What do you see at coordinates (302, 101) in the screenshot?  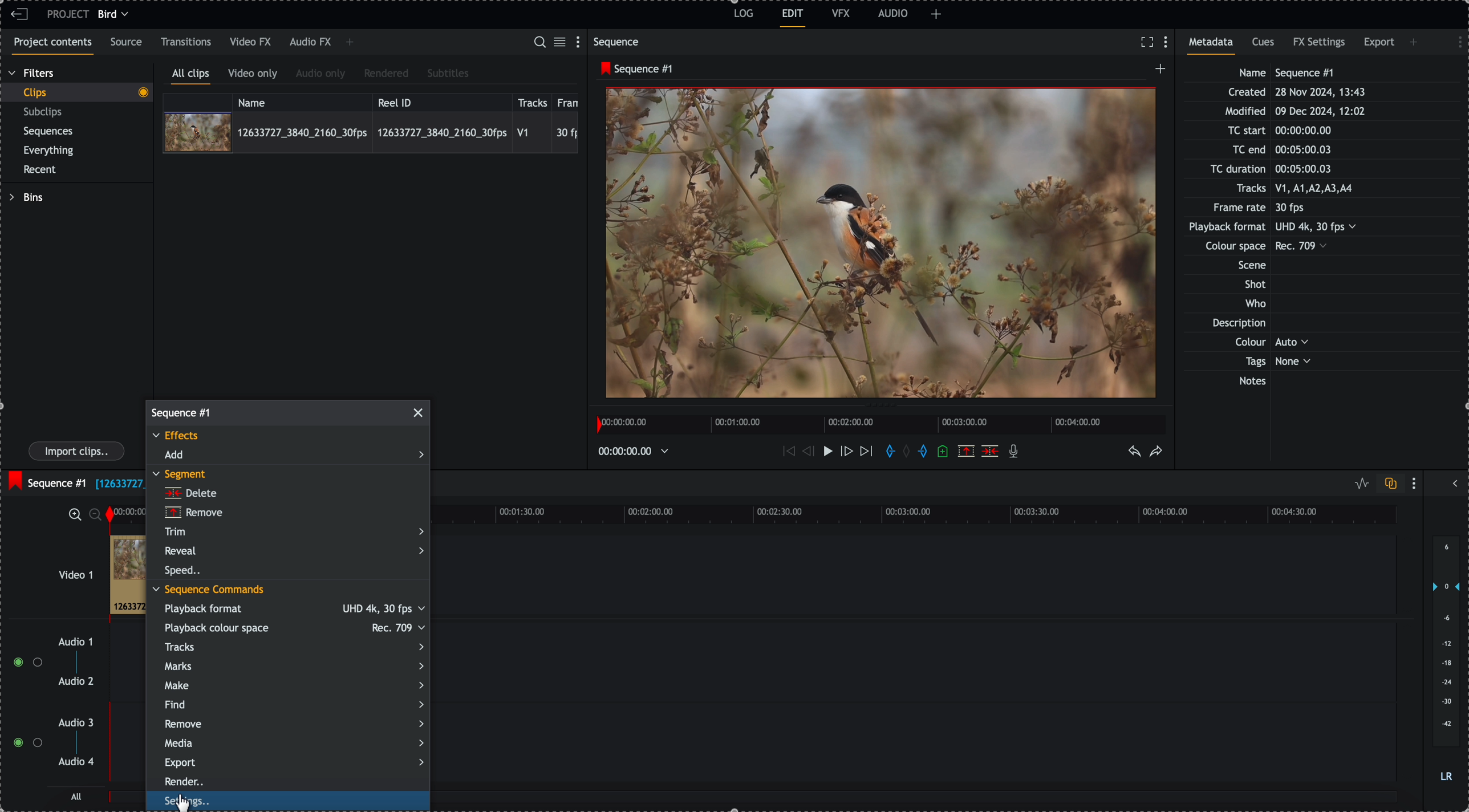 I see `name` at bounding box center [302, 101].